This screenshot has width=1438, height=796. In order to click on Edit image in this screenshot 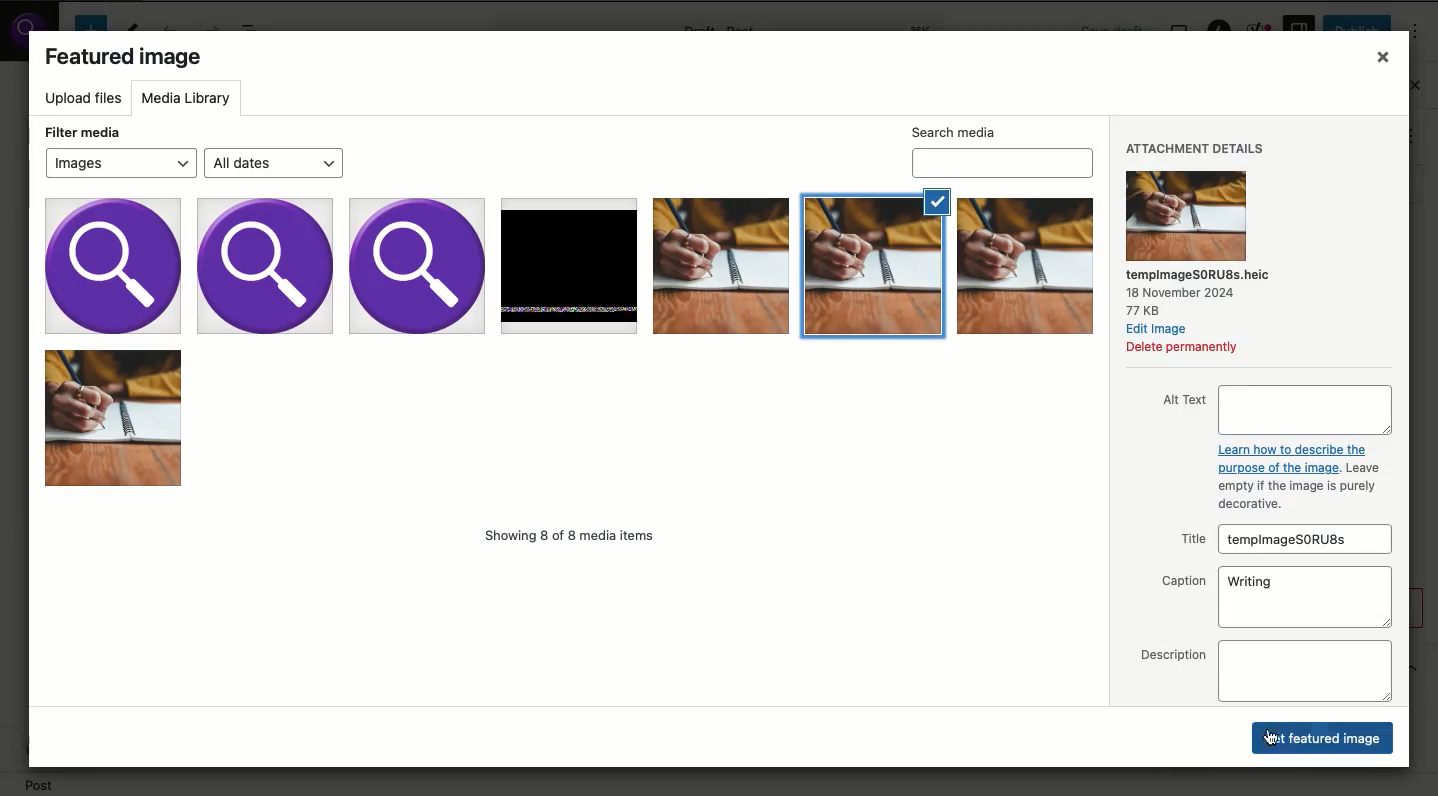, I will do `click(1158, 331)`.